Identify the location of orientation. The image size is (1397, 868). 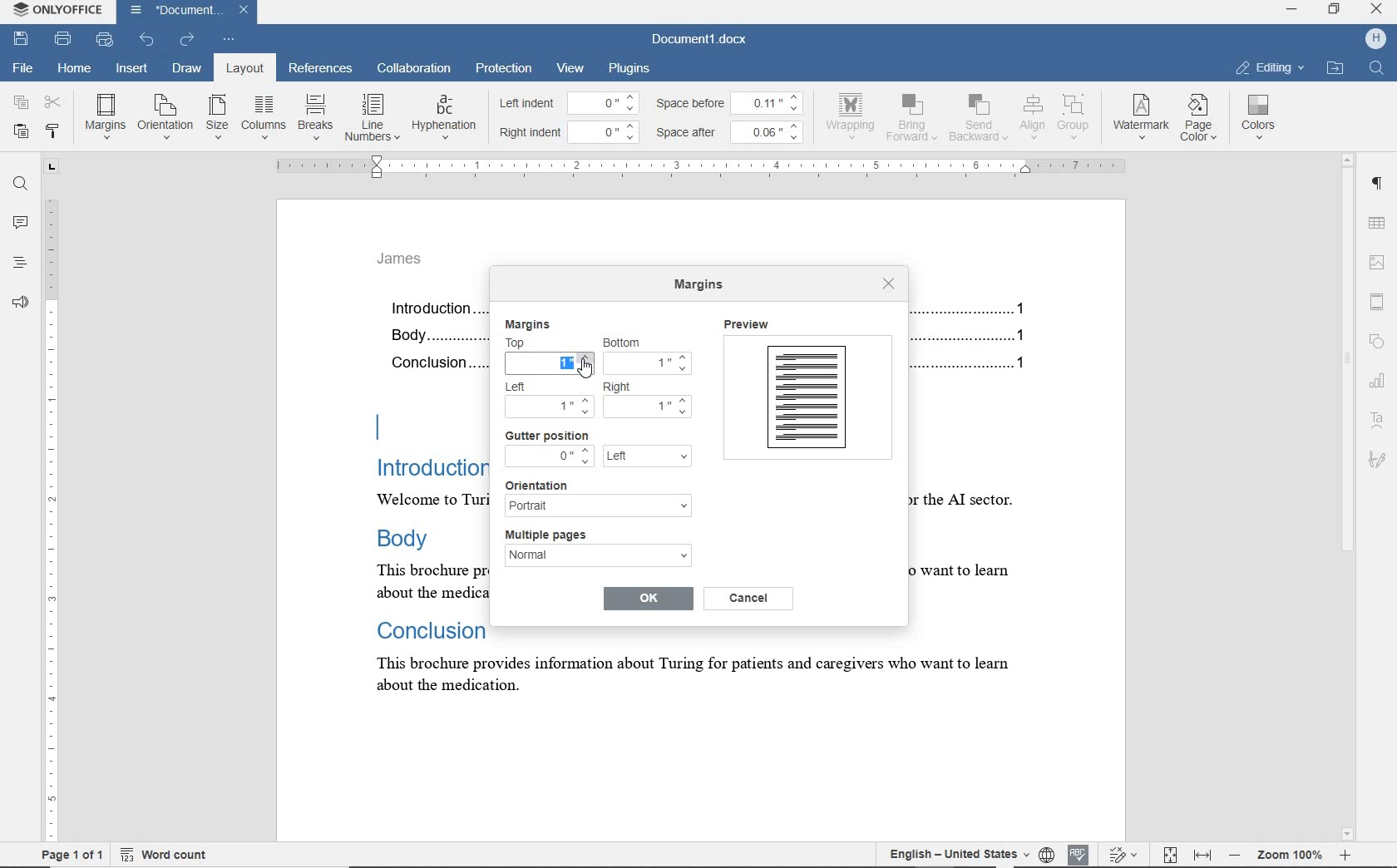
(548, 484).